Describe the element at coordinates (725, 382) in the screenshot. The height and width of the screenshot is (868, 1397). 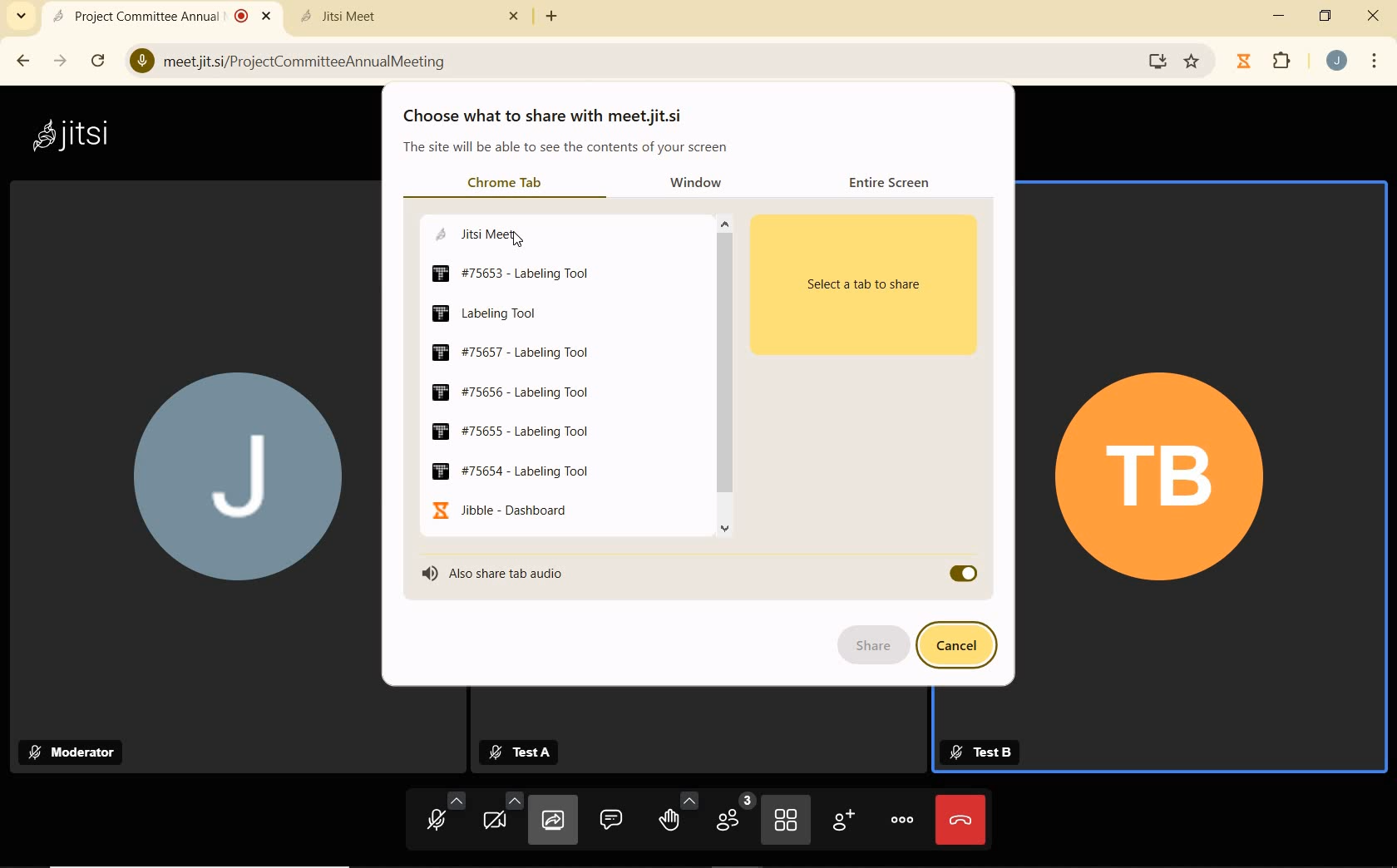
I see `SCROLL BAR` at that location.